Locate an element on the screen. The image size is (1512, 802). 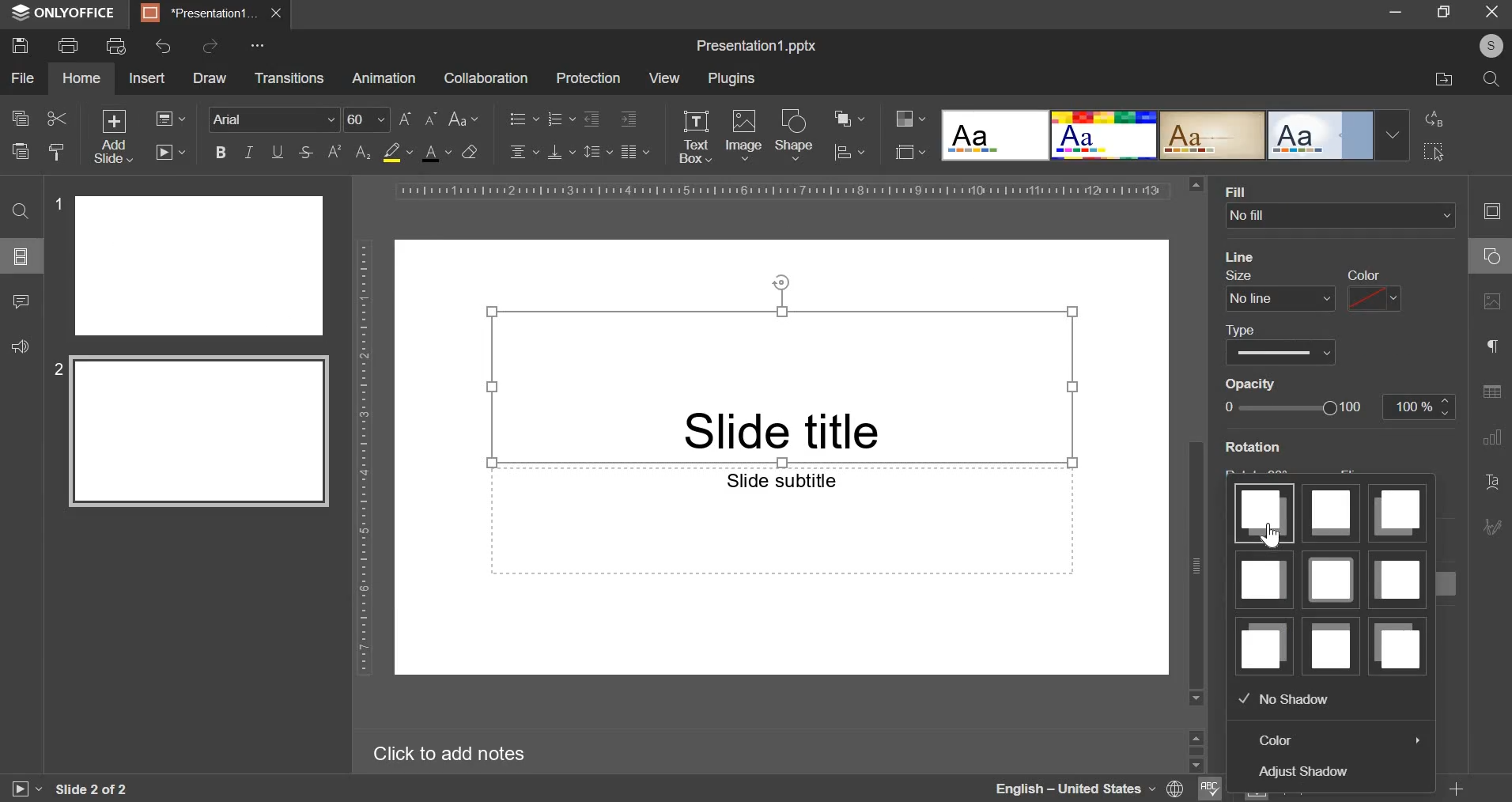
font is located at coordinates (275, 118).